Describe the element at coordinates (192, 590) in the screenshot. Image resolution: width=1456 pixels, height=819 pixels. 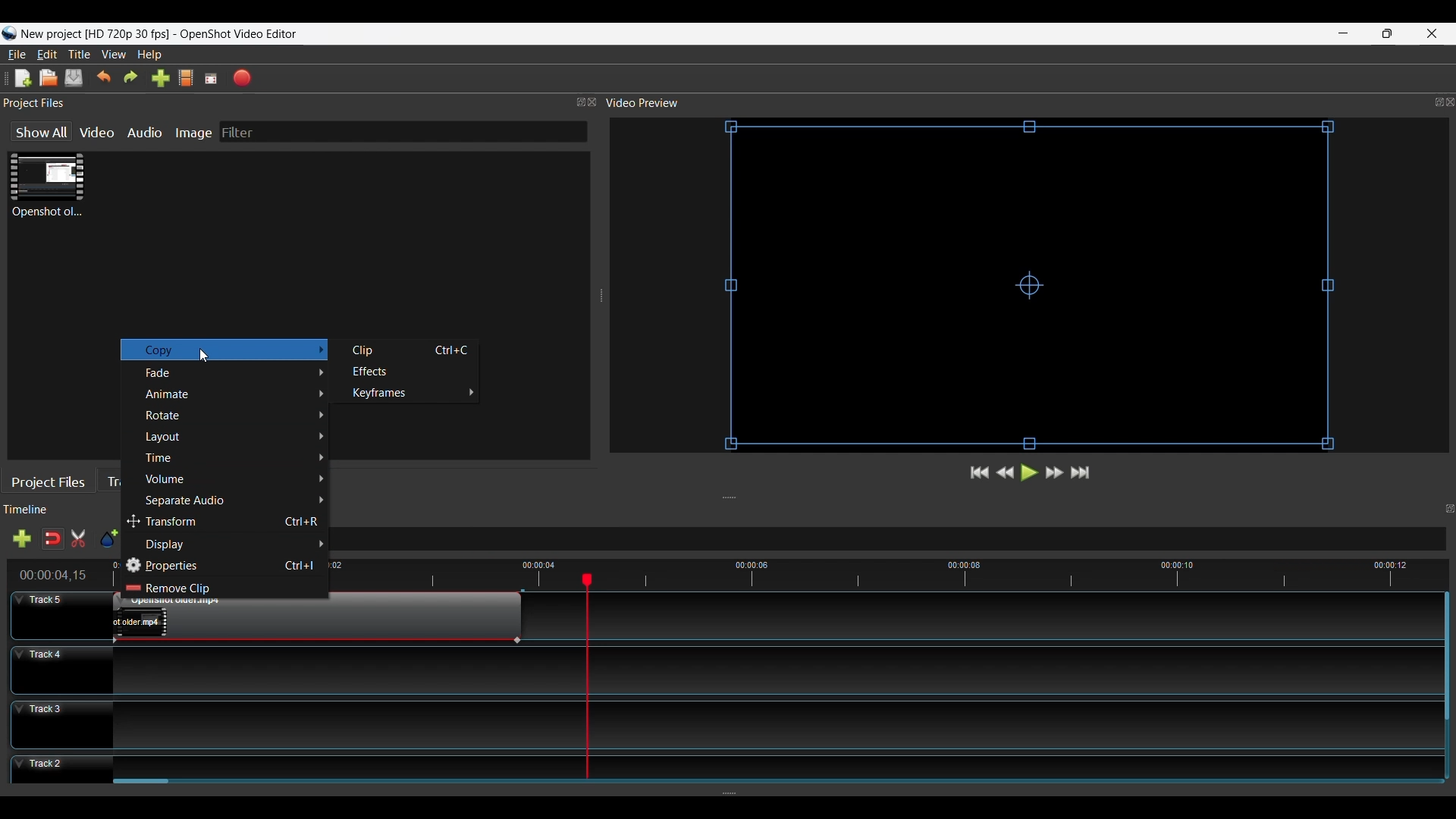
I see `Remove Clip` at that location.